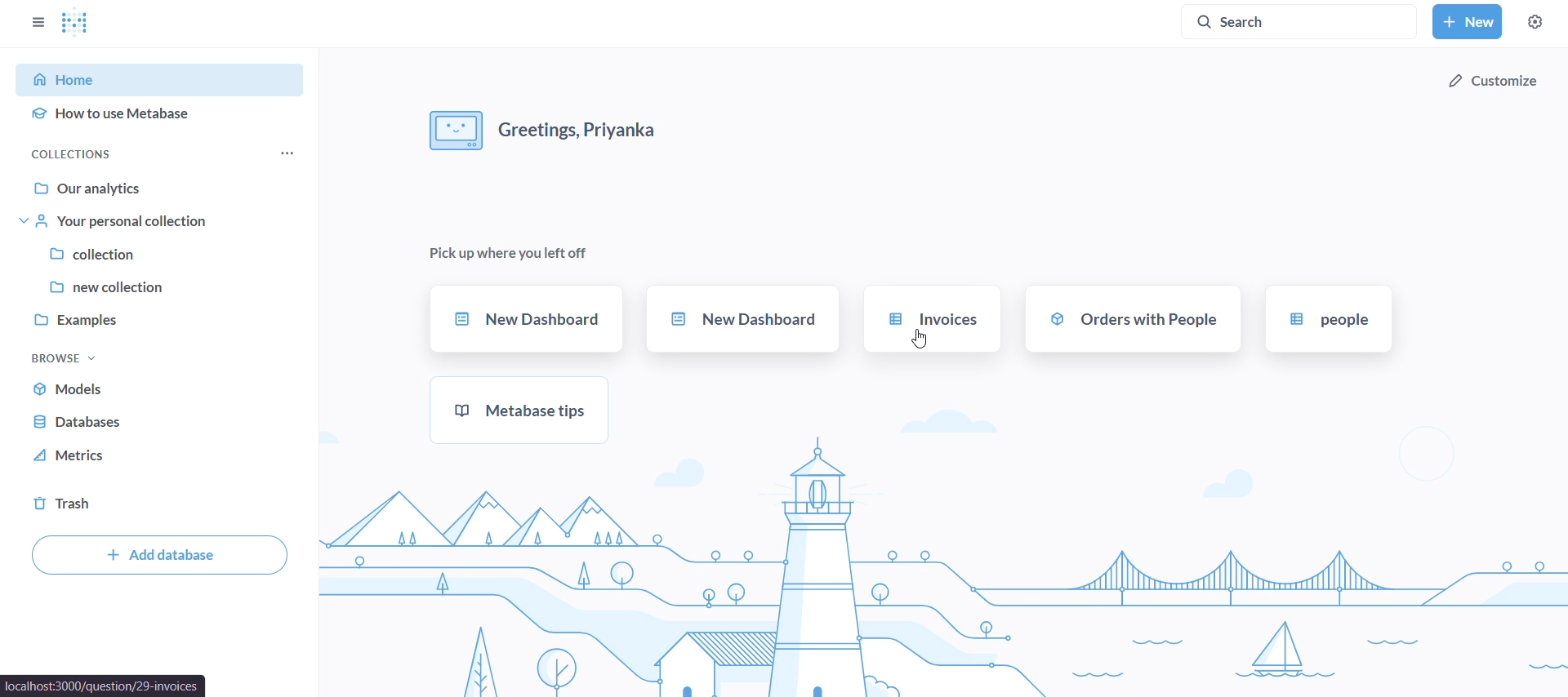 This screenshot has width=1568, height=697. What do you see at coordinates (518, 408) in the screenshot?
I see `metabase tips` at bounding box center [518, 408].